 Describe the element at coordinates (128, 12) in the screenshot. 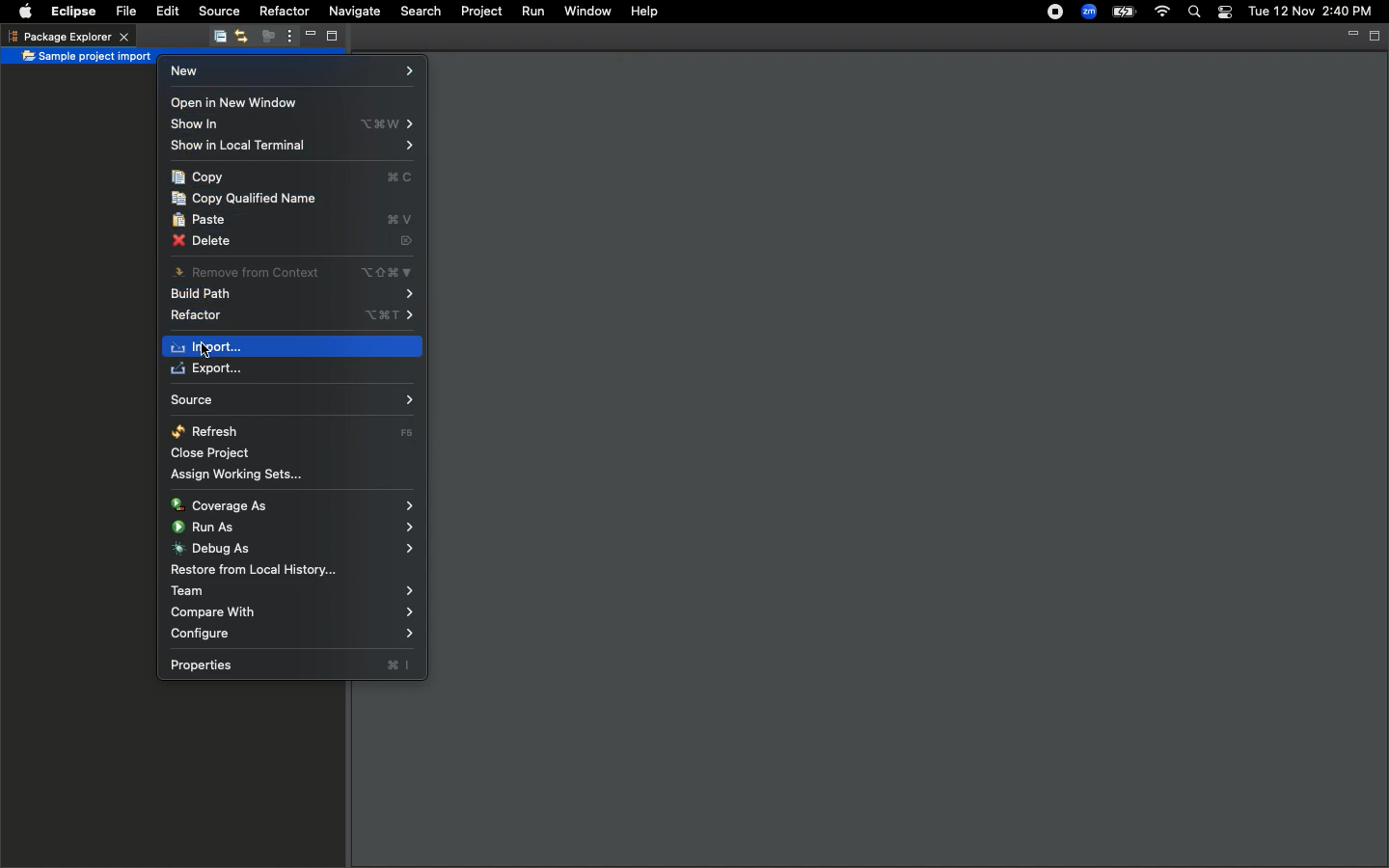

I see `File` at that location.